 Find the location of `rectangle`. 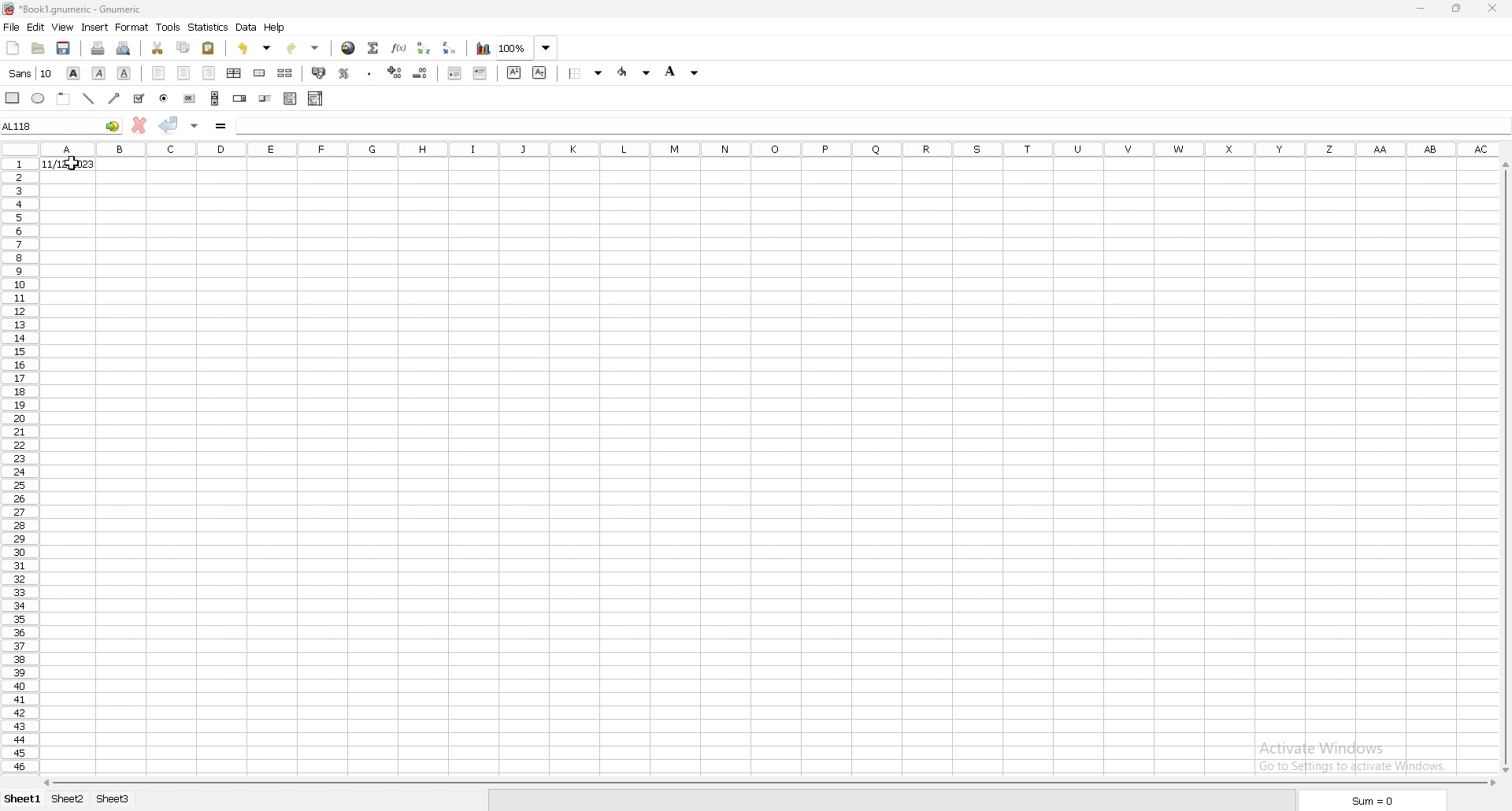

rectangle is located at coordinates (12, 98).